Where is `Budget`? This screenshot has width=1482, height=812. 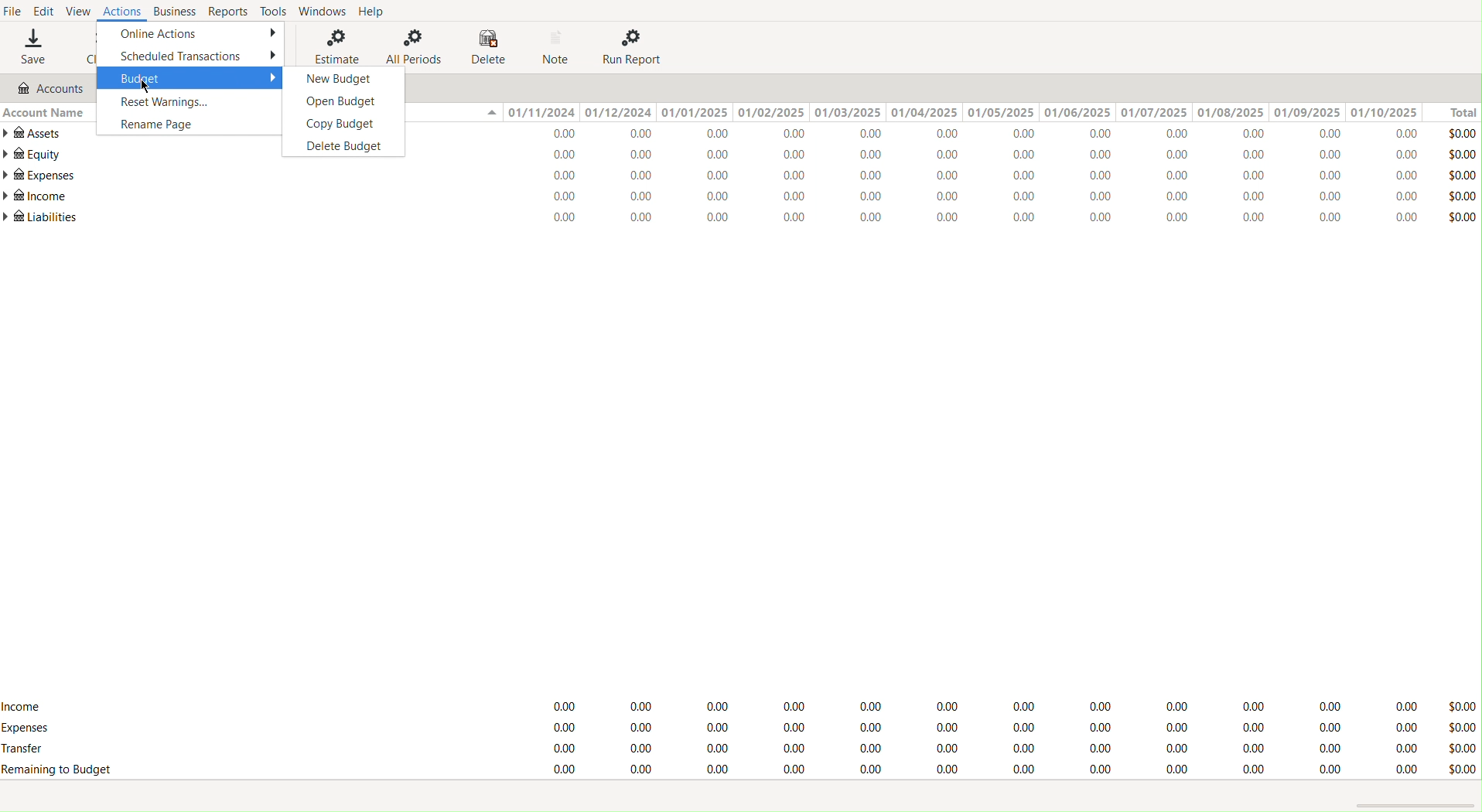 Budget is located at coordinates (192, 78).